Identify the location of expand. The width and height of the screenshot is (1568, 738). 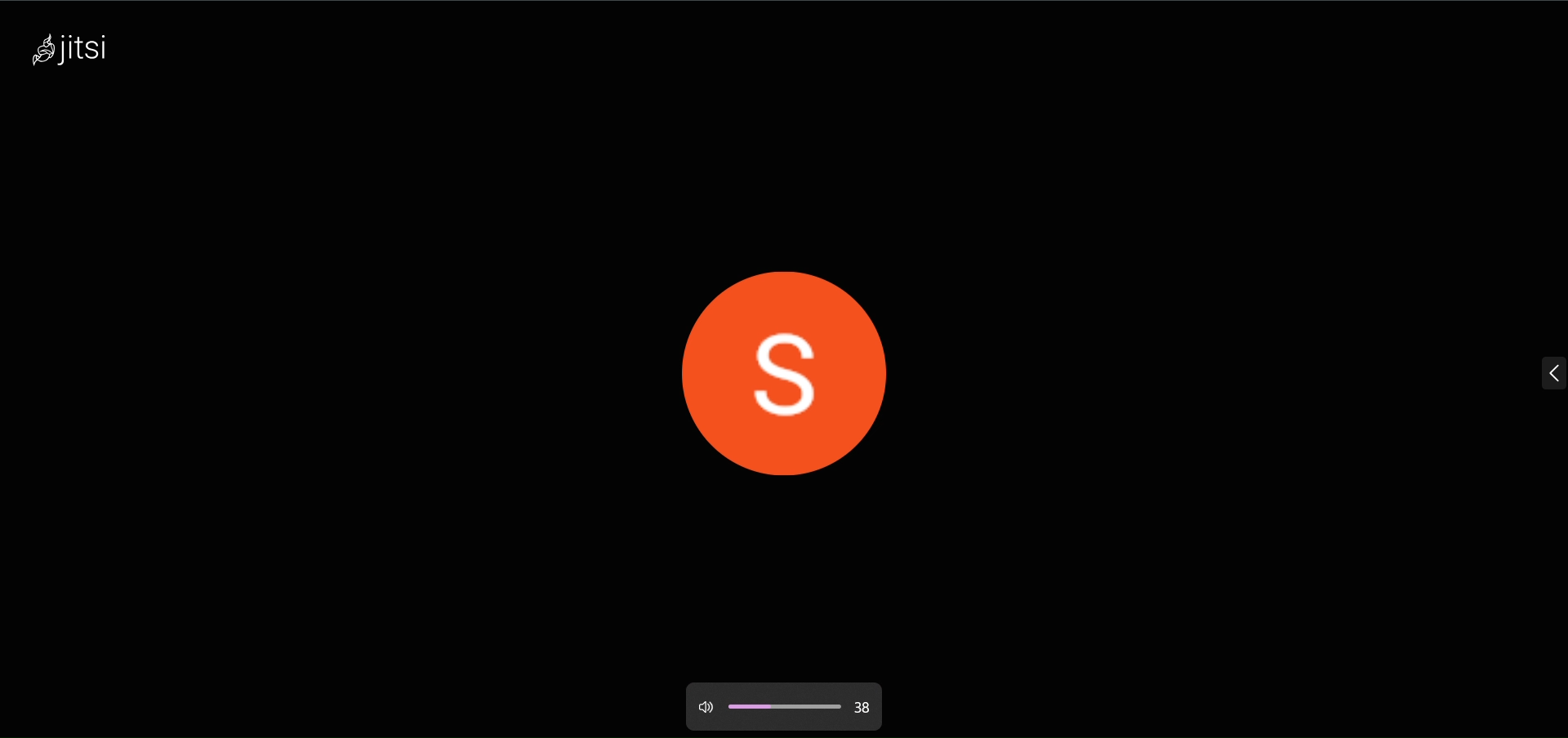
(1539, 372).